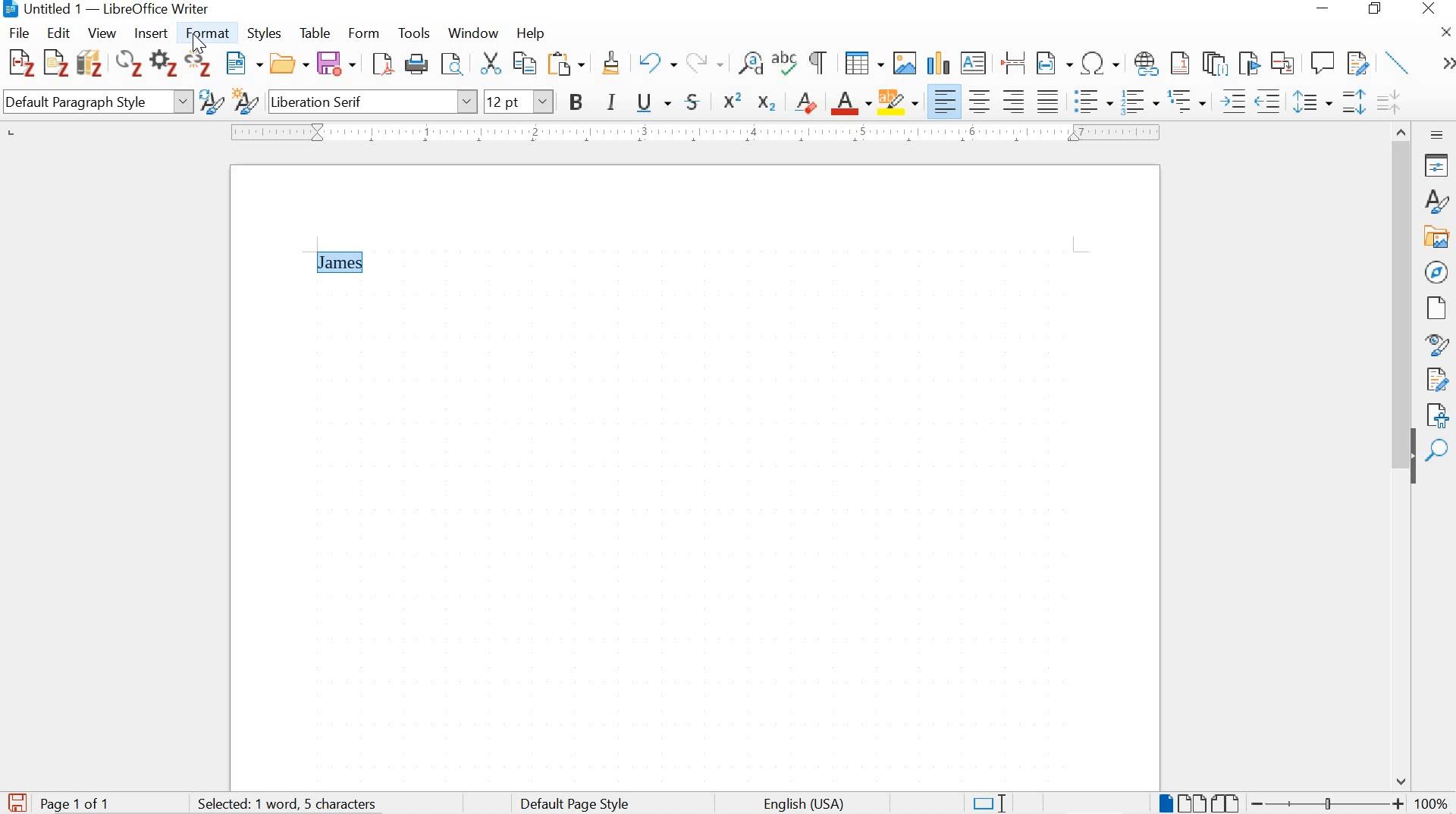 The image size is (1456, 814). Describe the element at coordinates (210, 33) in the screenshot. I see `format` at that location.